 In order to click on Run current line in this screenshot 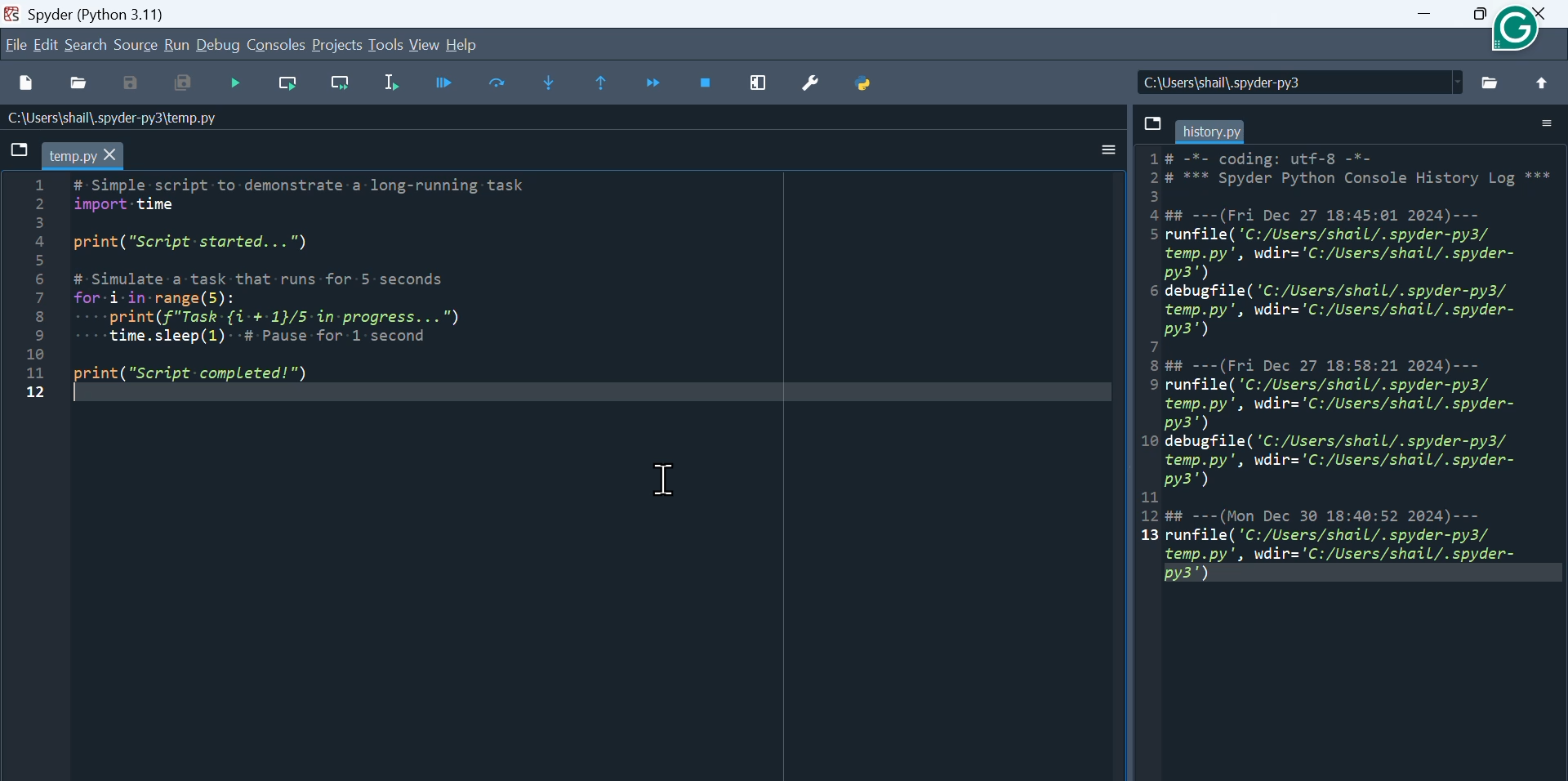, I will do `click(288, 85)`.